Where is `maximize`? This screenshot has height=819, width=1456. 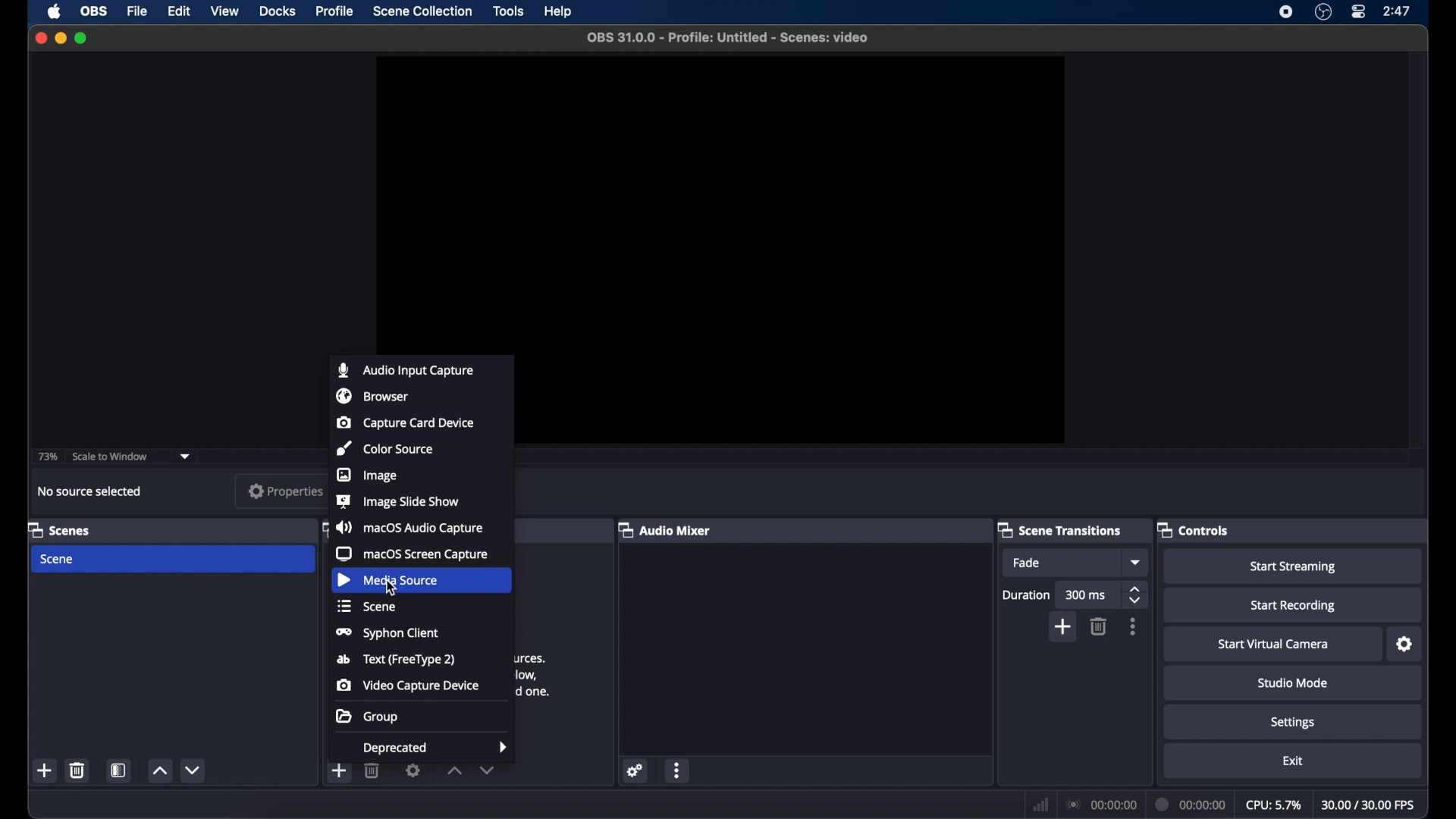
maximize is located at coordinates (82, 39).